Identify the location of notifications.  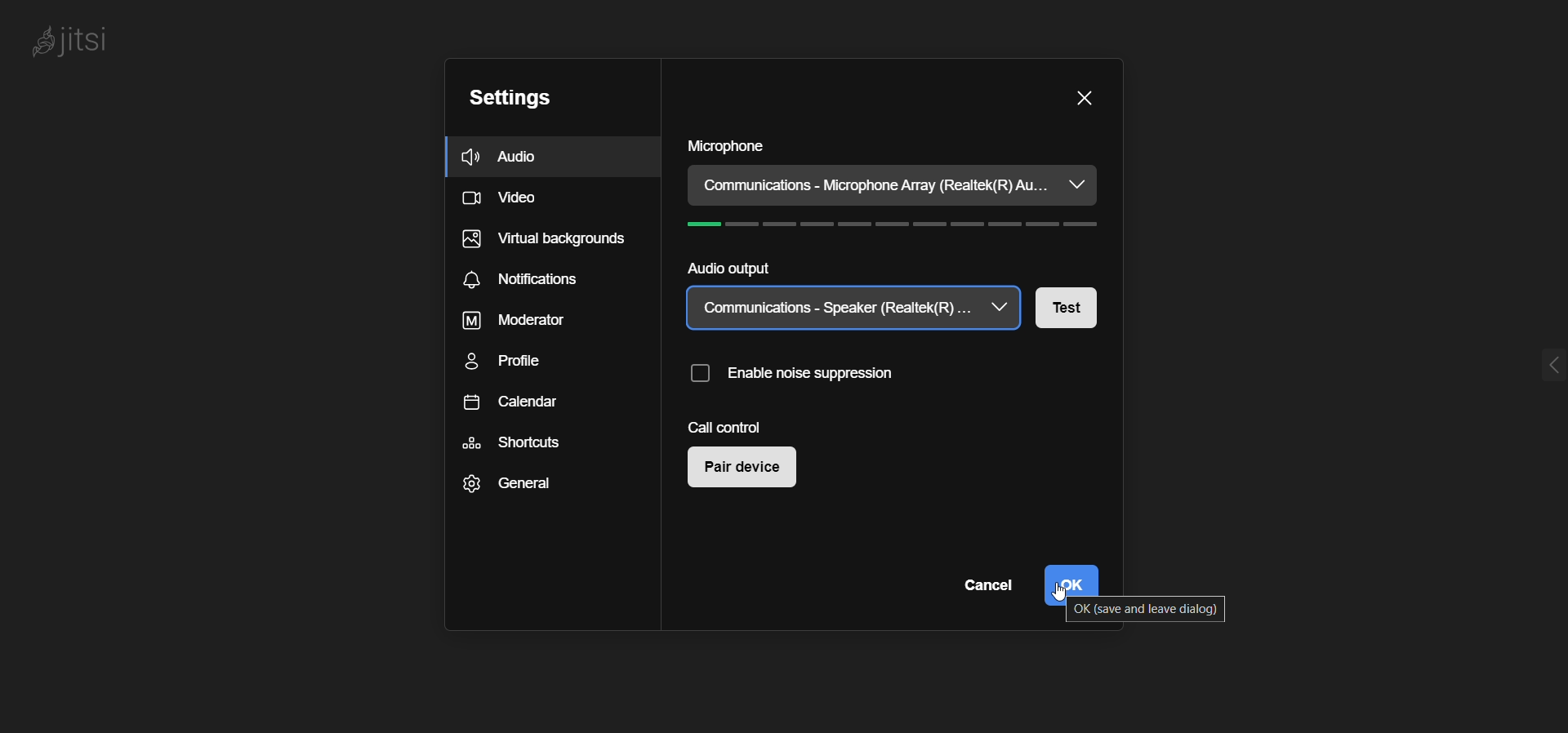
(523, 282).